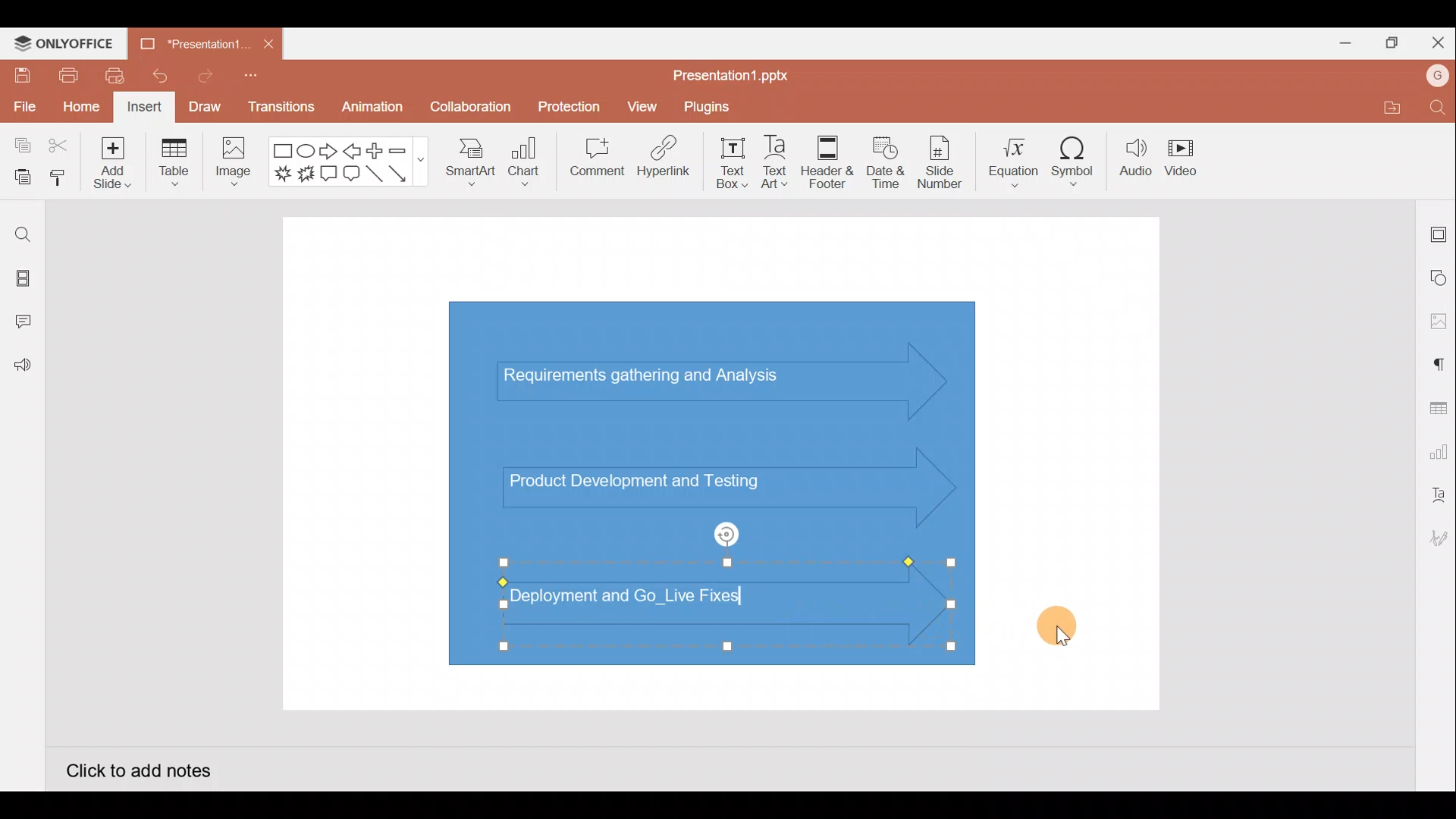 The width and height of the screenshot is (1456, 819). Describe the element at coordinates (231, 165) in the screenshot. I see `Image` at that location.